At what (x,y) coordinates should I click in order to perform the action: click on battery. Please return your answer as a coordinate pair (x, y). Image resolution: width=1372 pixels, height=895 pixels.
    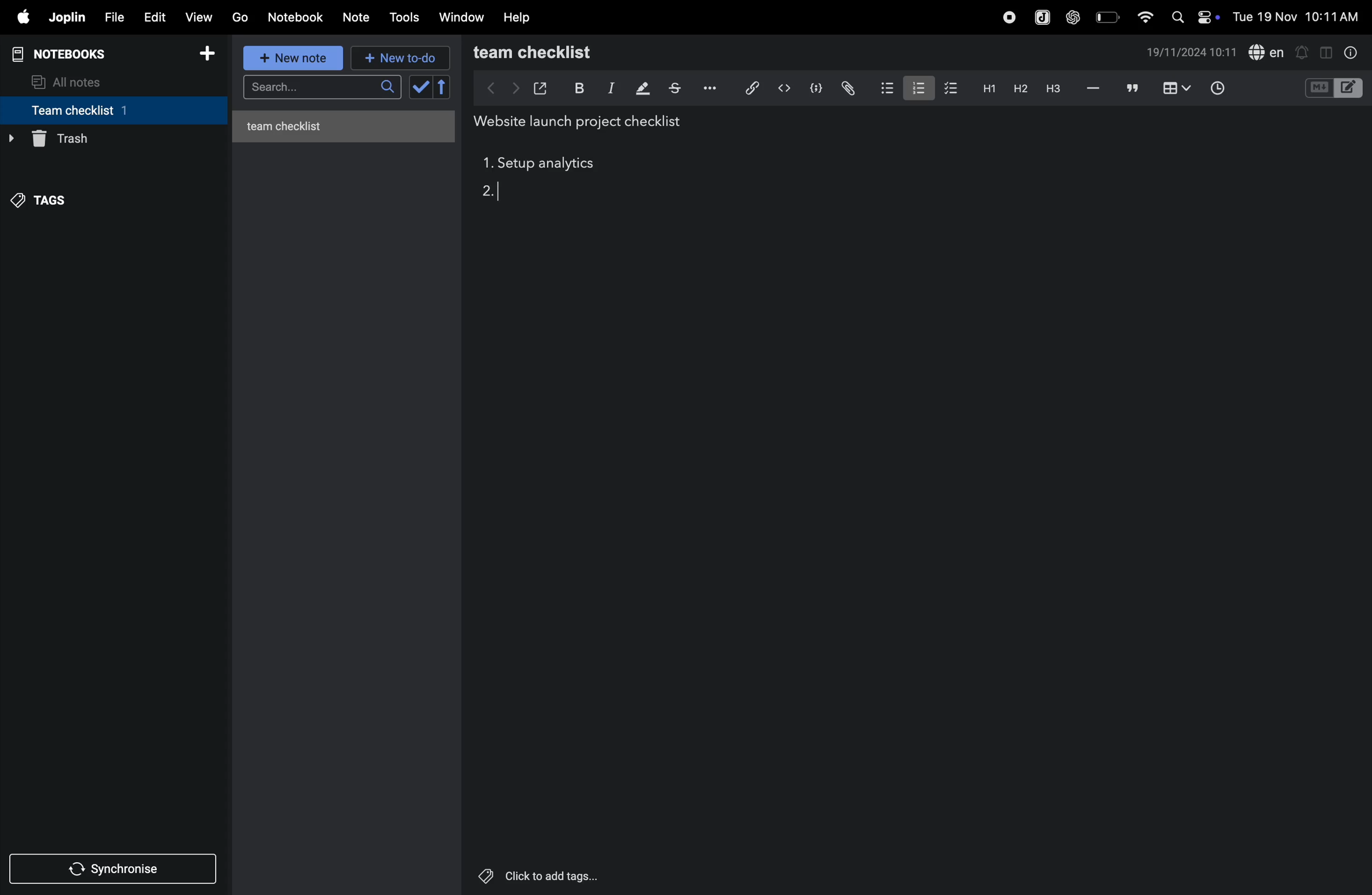
    Looking at the image, I should click on (1106, 17).